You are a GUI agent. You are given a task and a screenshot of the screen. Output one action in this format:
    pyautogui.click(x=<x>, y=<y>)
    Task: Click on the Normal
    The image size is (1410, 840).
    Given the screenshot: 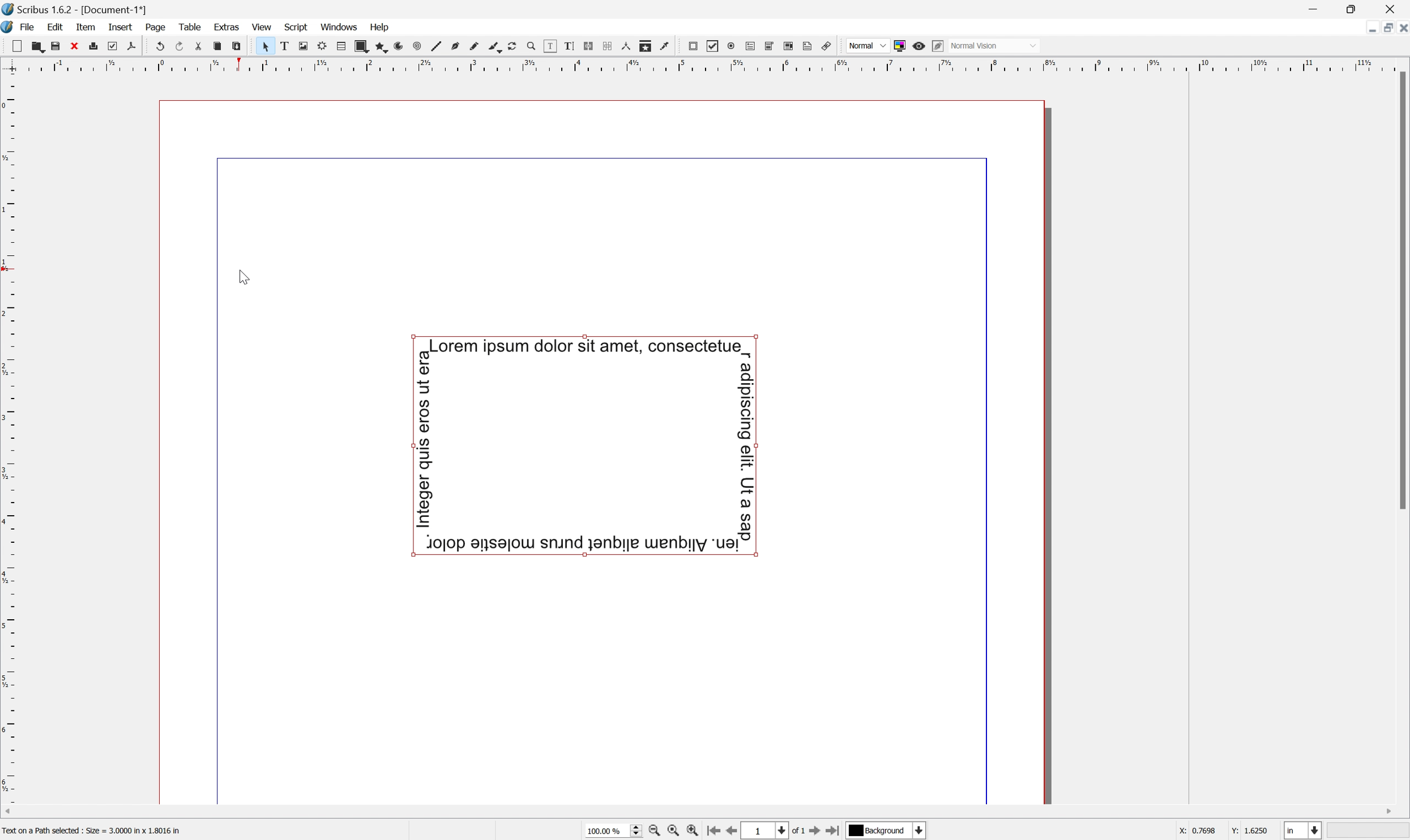 What is the action you would take?
    pyautogui.click(x=866, y=44)
    